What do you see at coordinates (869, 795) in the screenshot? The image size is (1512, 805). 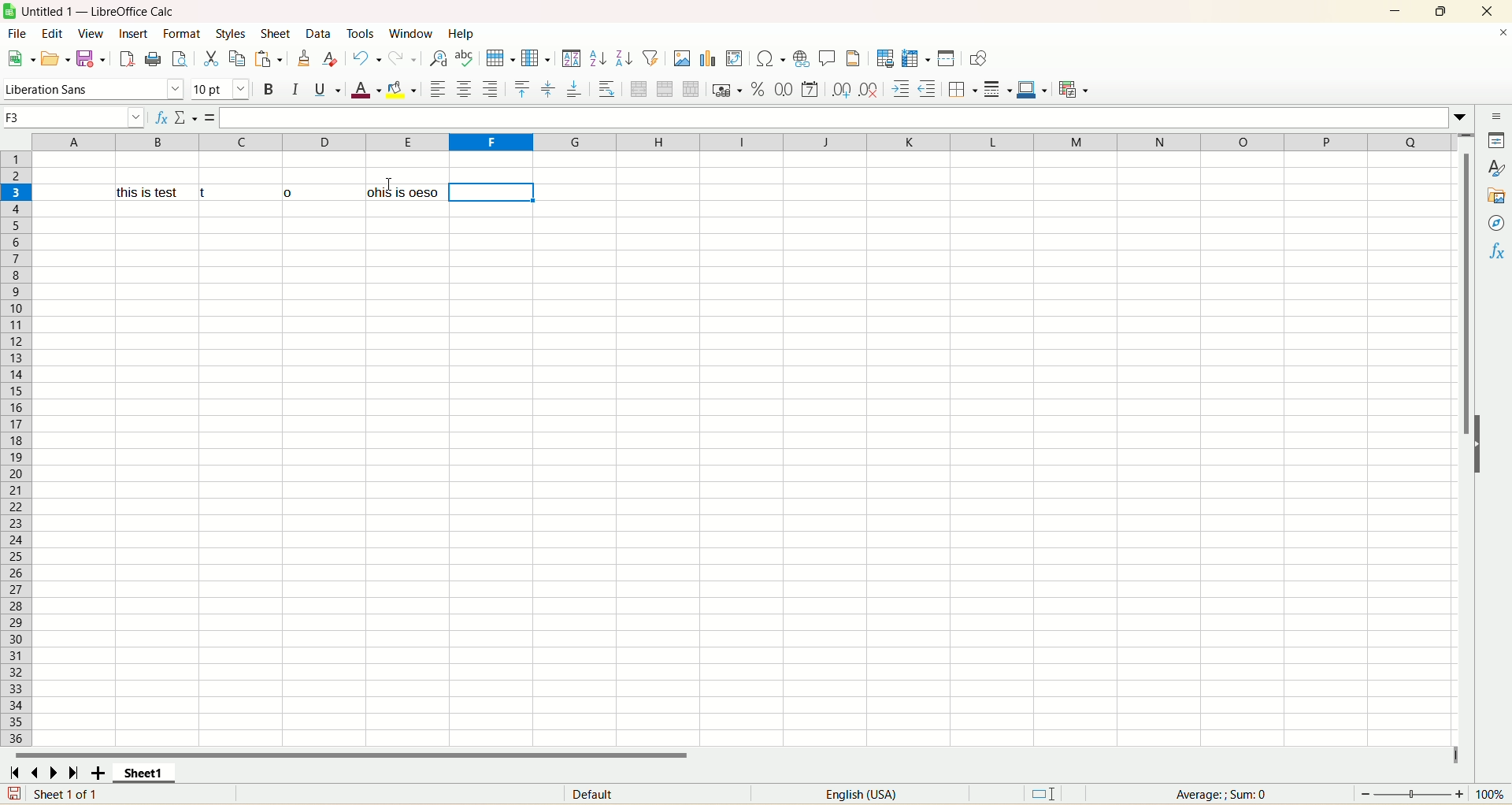 I see `language` at bounding box center [869, 795].